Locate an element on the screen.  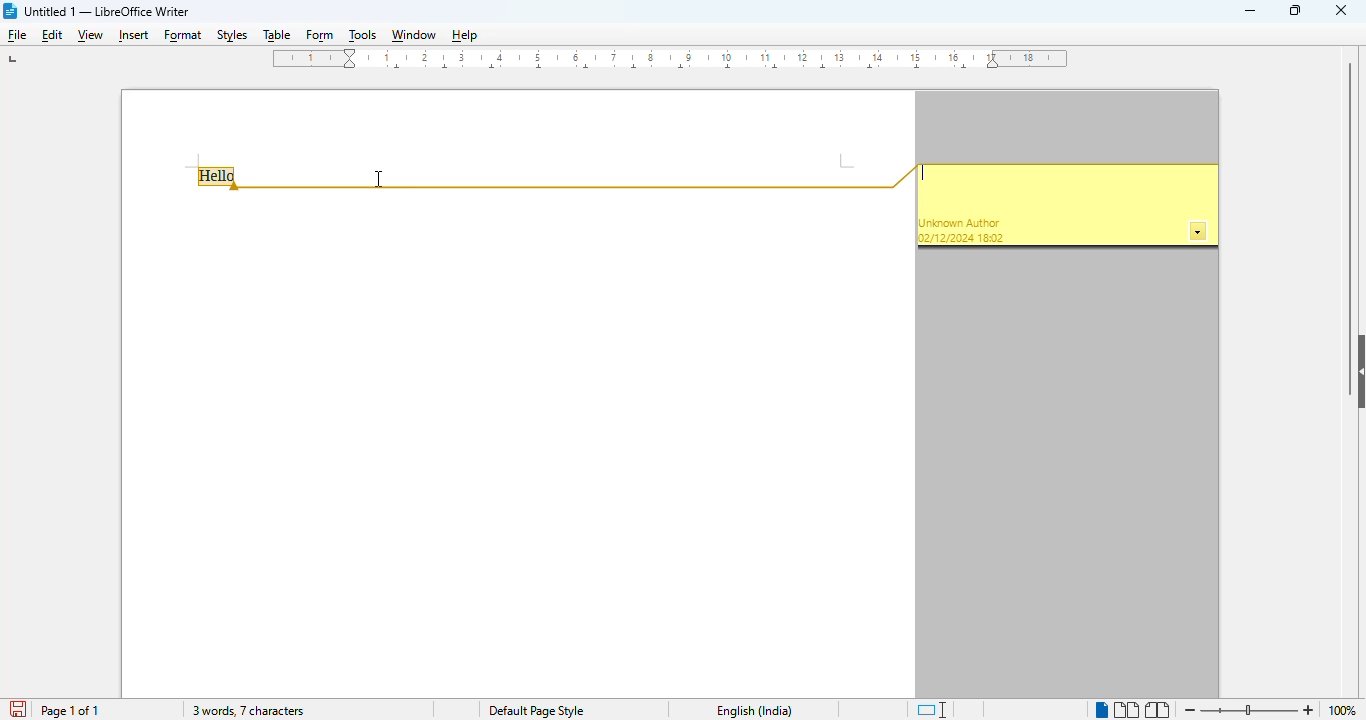
form is located at coordinates (320, 37).